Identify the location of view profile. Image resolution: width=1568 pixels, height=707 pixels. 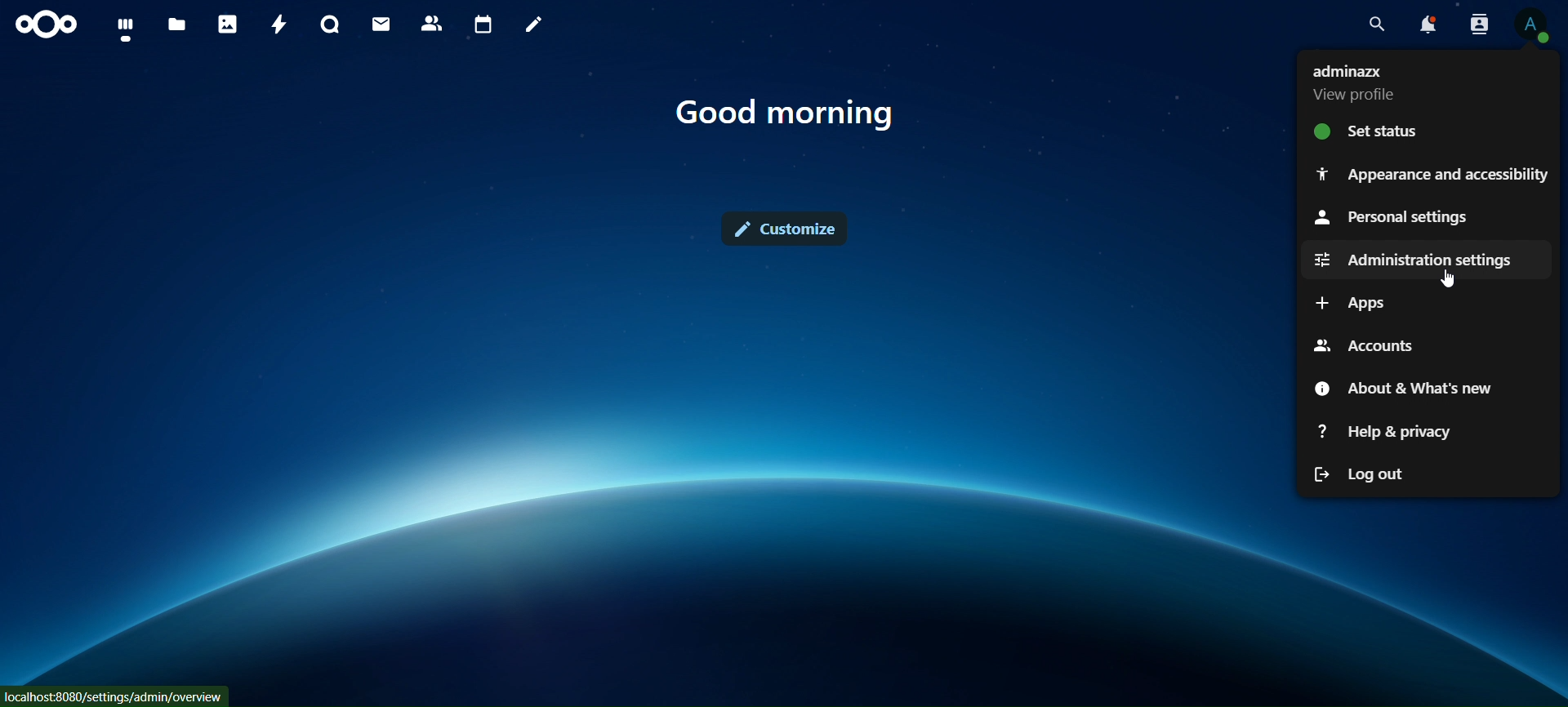
(1532, 27).